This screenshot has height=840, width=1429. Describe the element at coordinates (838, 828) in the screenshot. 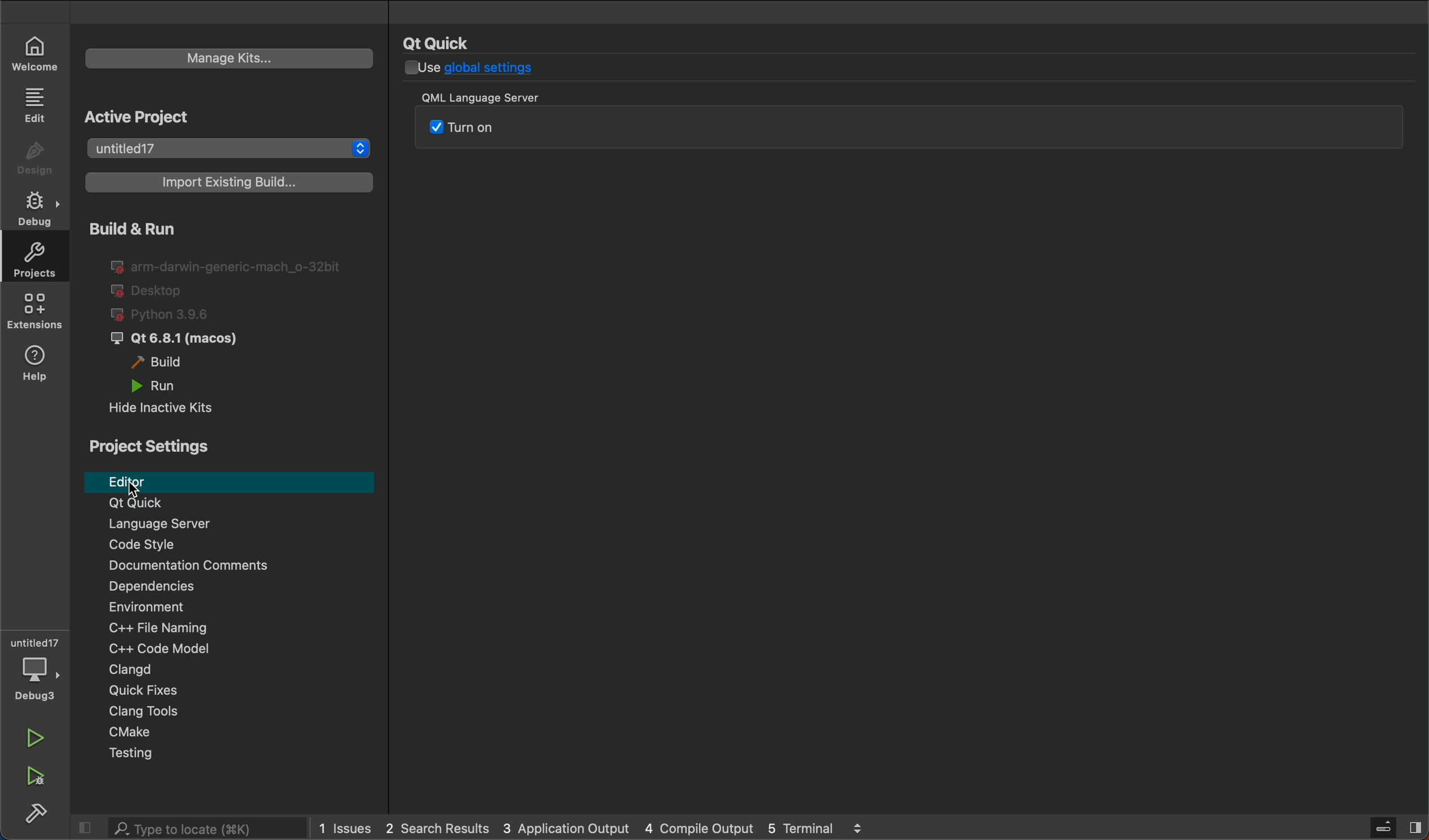

I see `5 terminal` at that location.